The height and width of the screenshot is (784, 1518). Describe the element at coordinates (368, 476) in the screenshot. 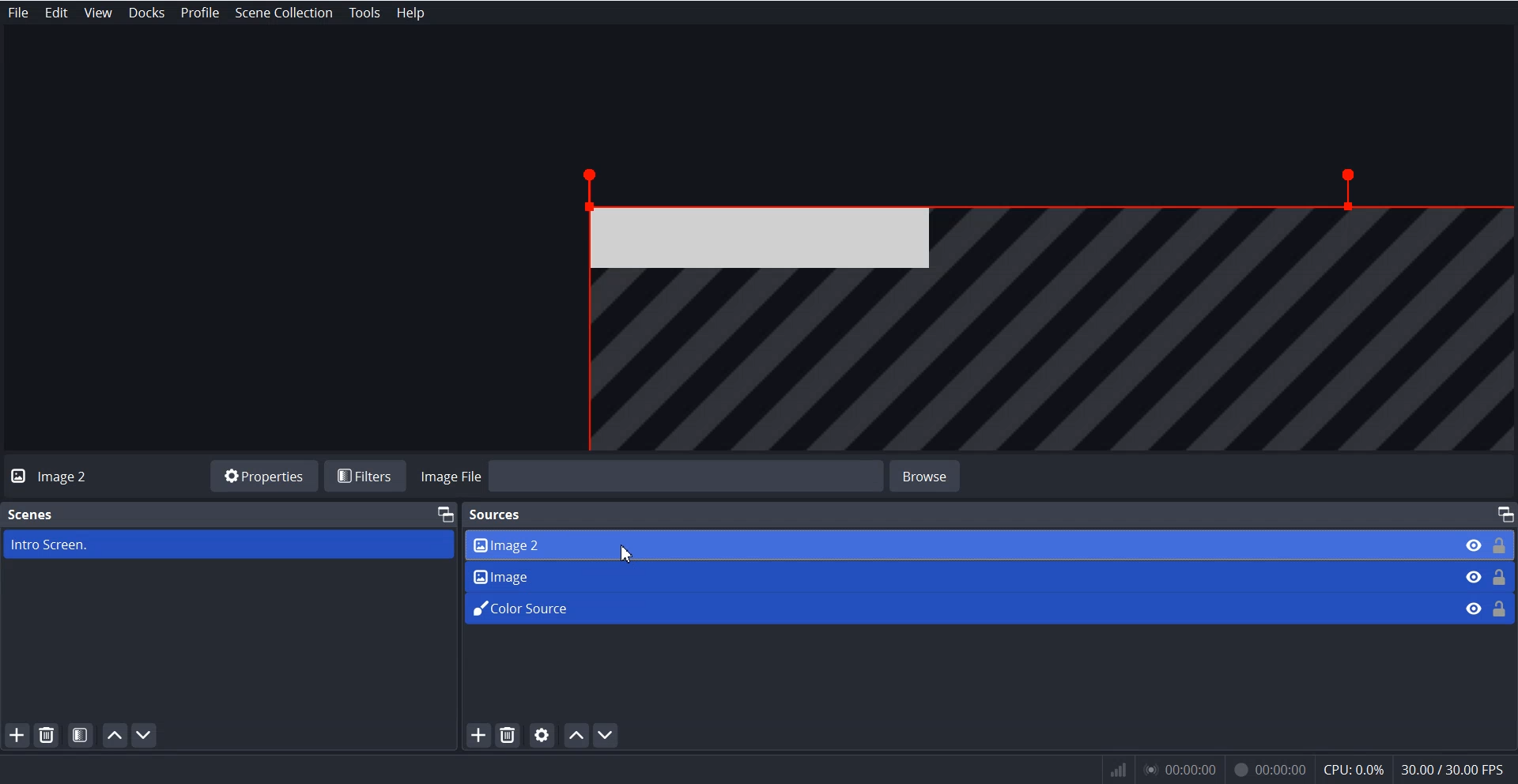

I see `Filters` at that location.